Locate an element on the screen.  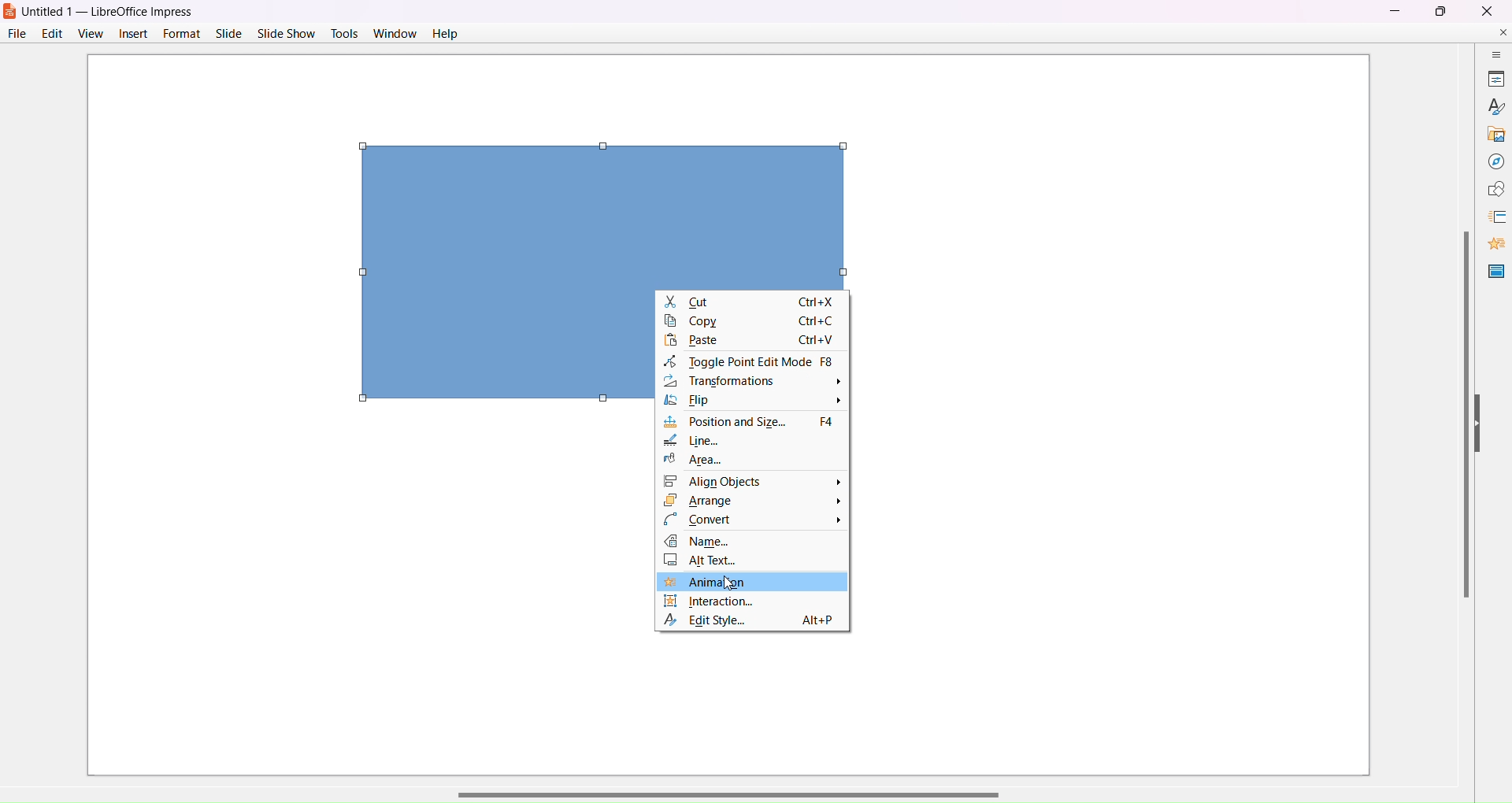
Minimize is located at coordinates (1394, 10).